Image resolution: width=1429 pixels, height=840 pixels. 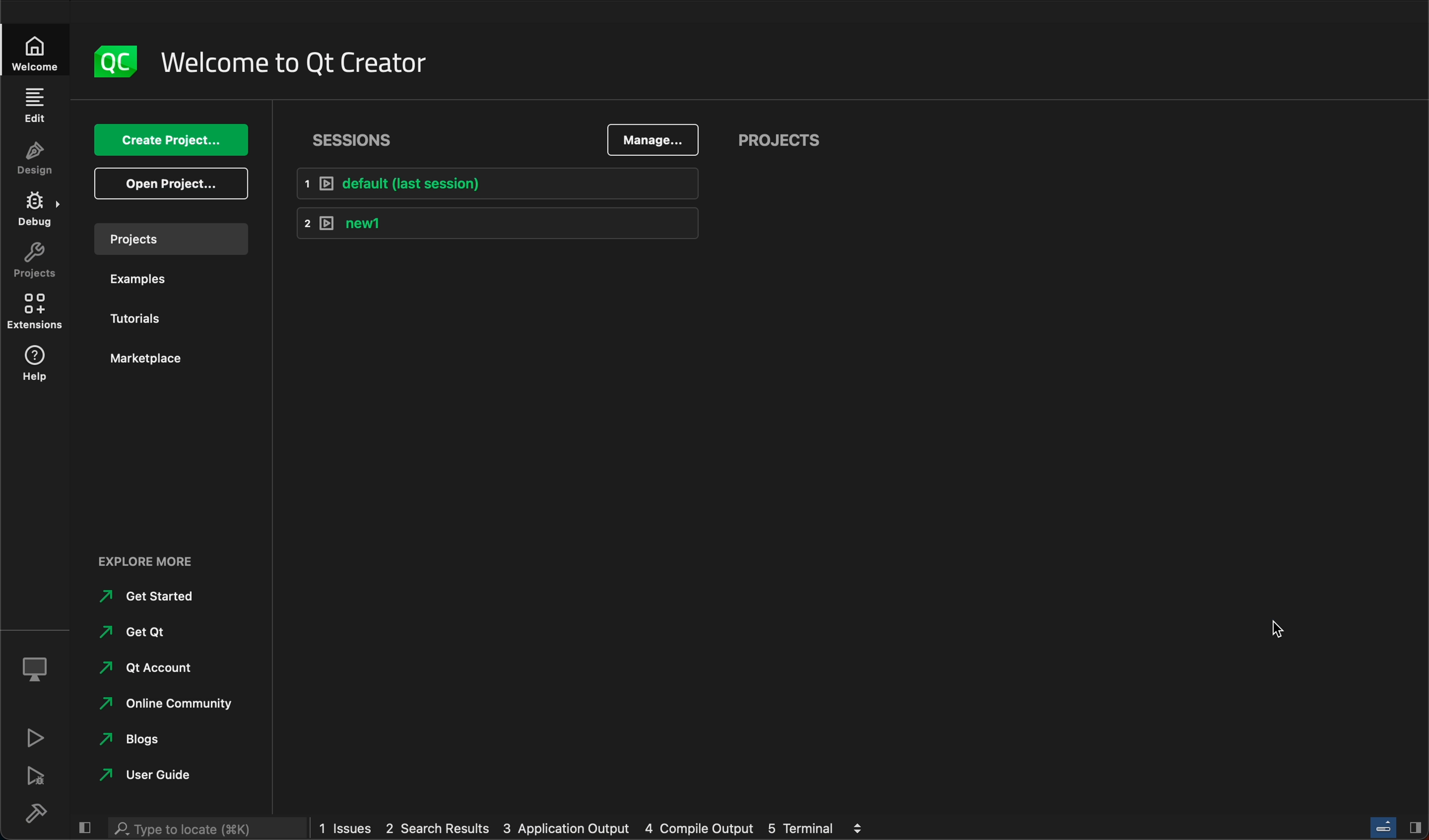 I want to click on open project, so click(x=176, y=183).